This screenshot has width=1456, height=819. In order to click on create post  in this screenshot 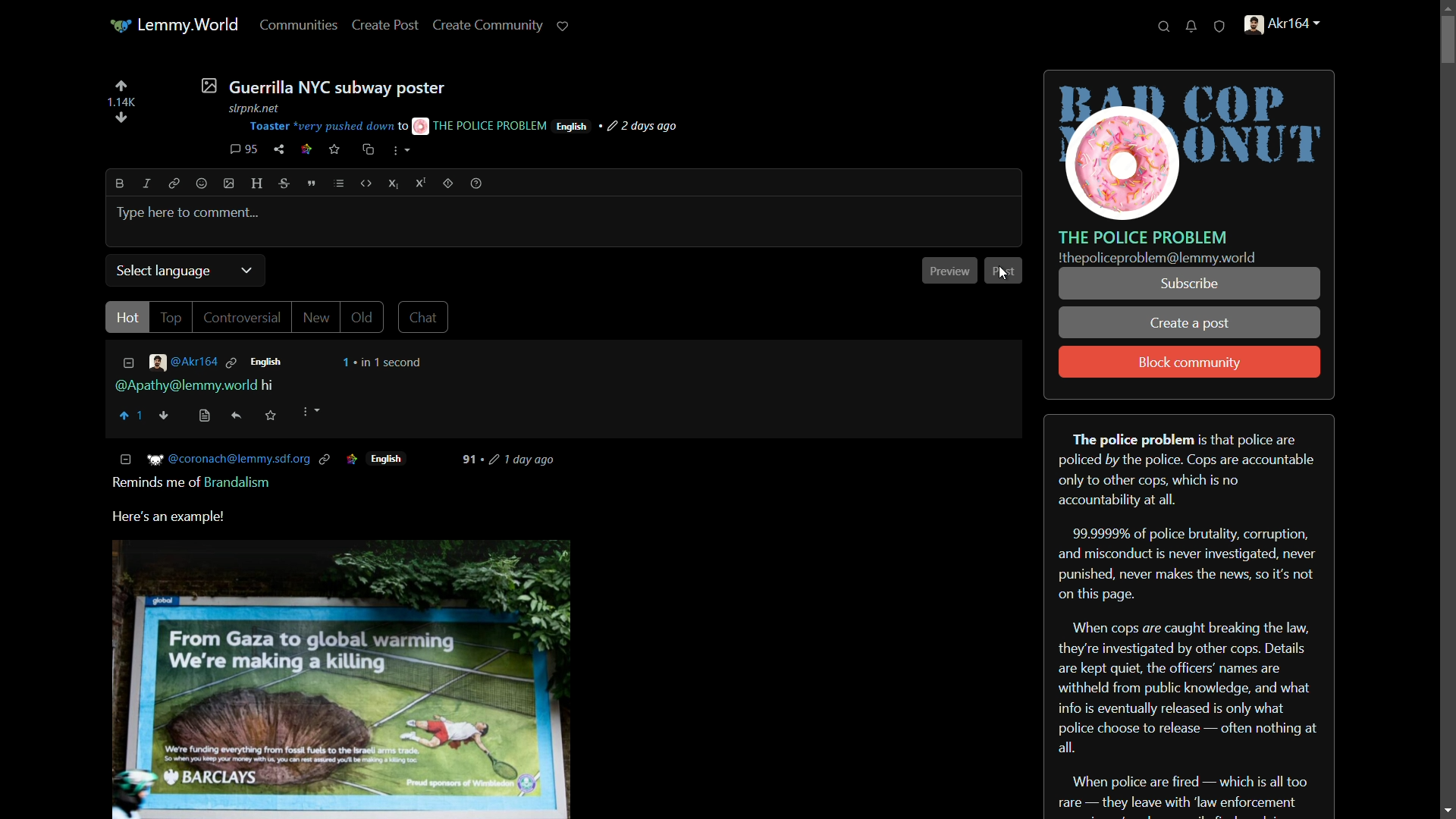, I will do `click(386, 26)`.